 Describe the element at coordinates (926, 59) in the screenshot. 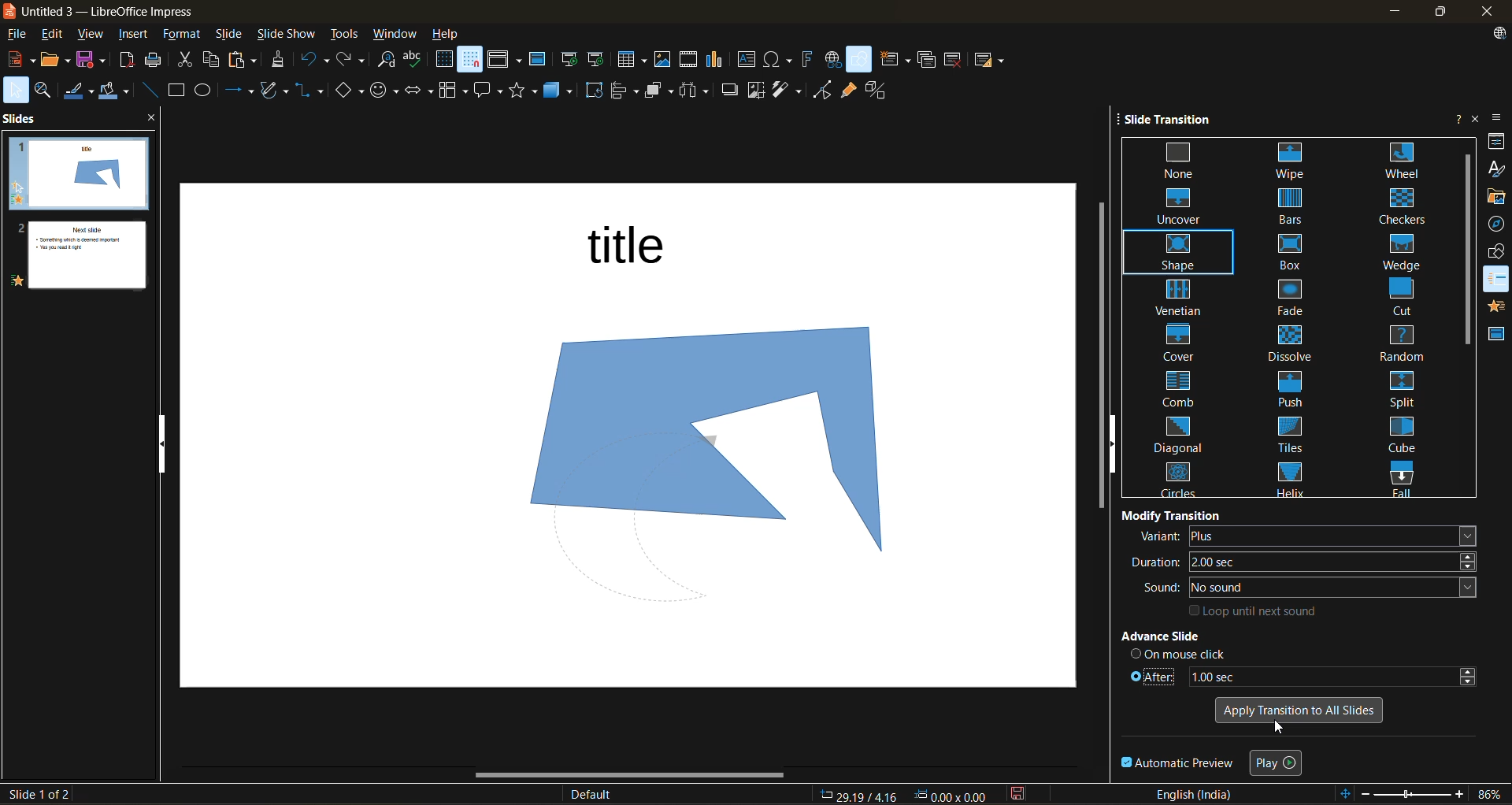

I see `duplicate slide` at that location.